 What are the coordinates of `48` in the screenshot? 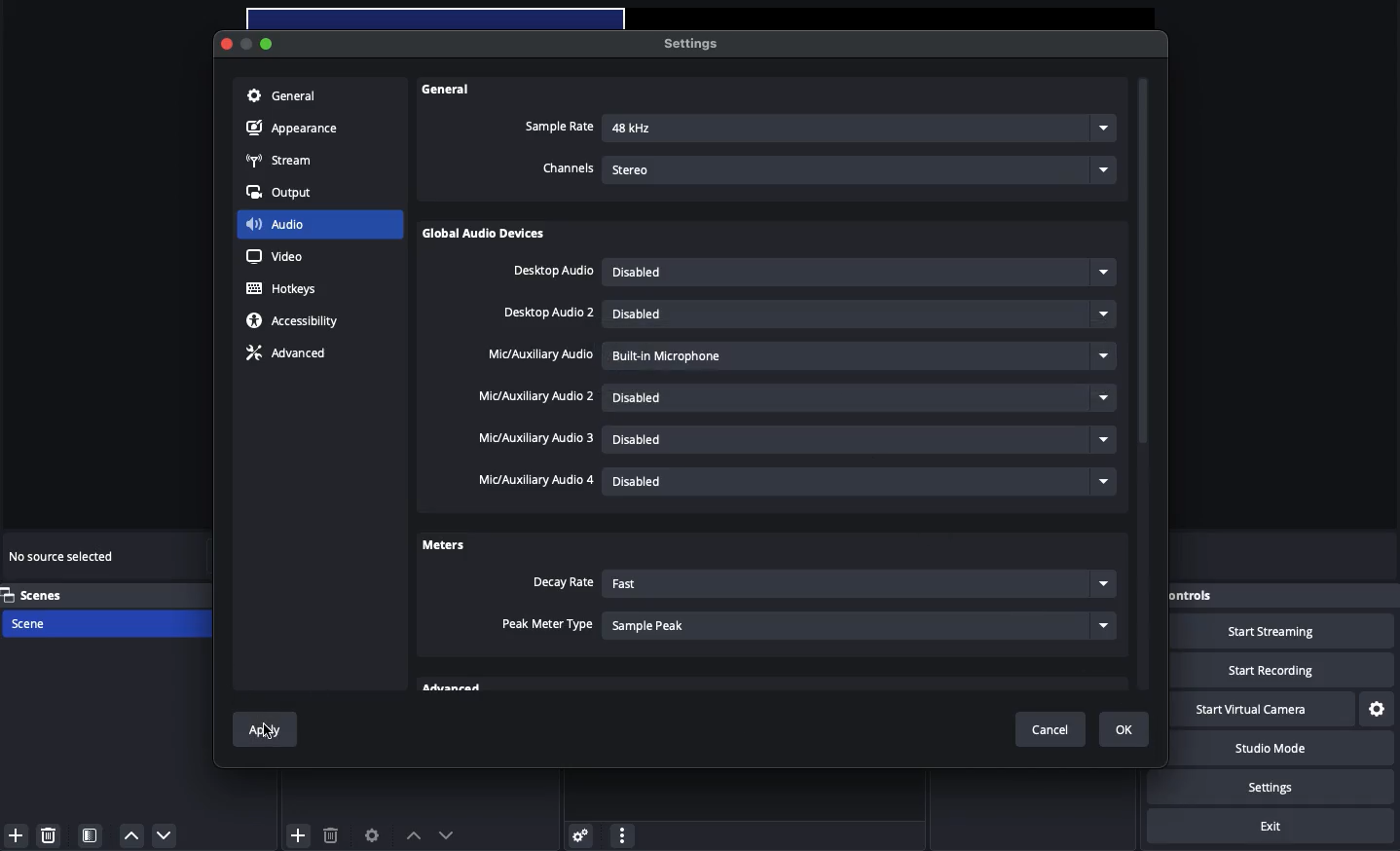 It's located at (861, 129).